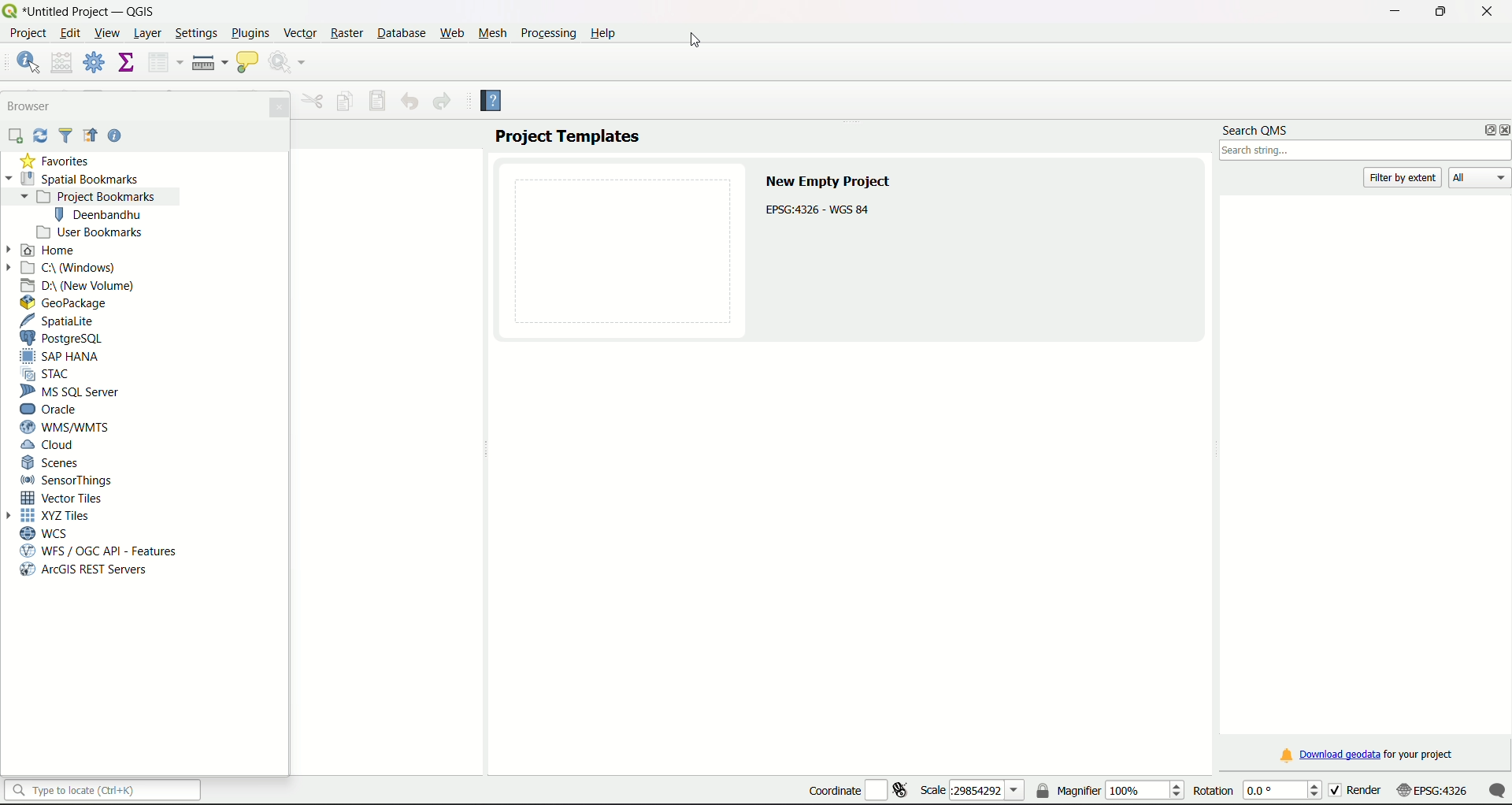 The image size is (1512, 805). I want to click on search bar, so click(103, 790).